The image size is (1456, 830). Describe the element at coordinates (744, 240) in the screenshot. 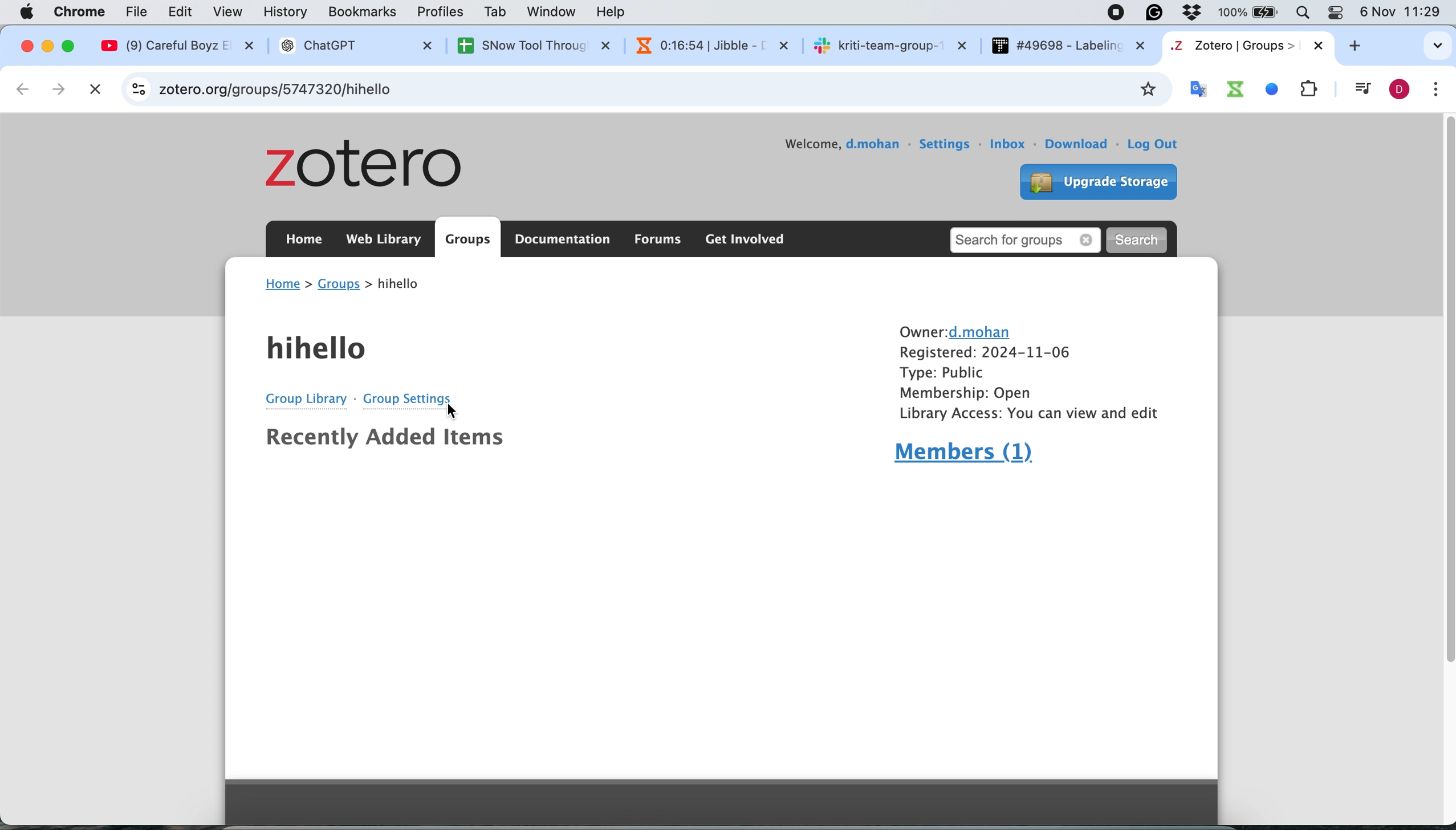

I see `get involved` at that location.